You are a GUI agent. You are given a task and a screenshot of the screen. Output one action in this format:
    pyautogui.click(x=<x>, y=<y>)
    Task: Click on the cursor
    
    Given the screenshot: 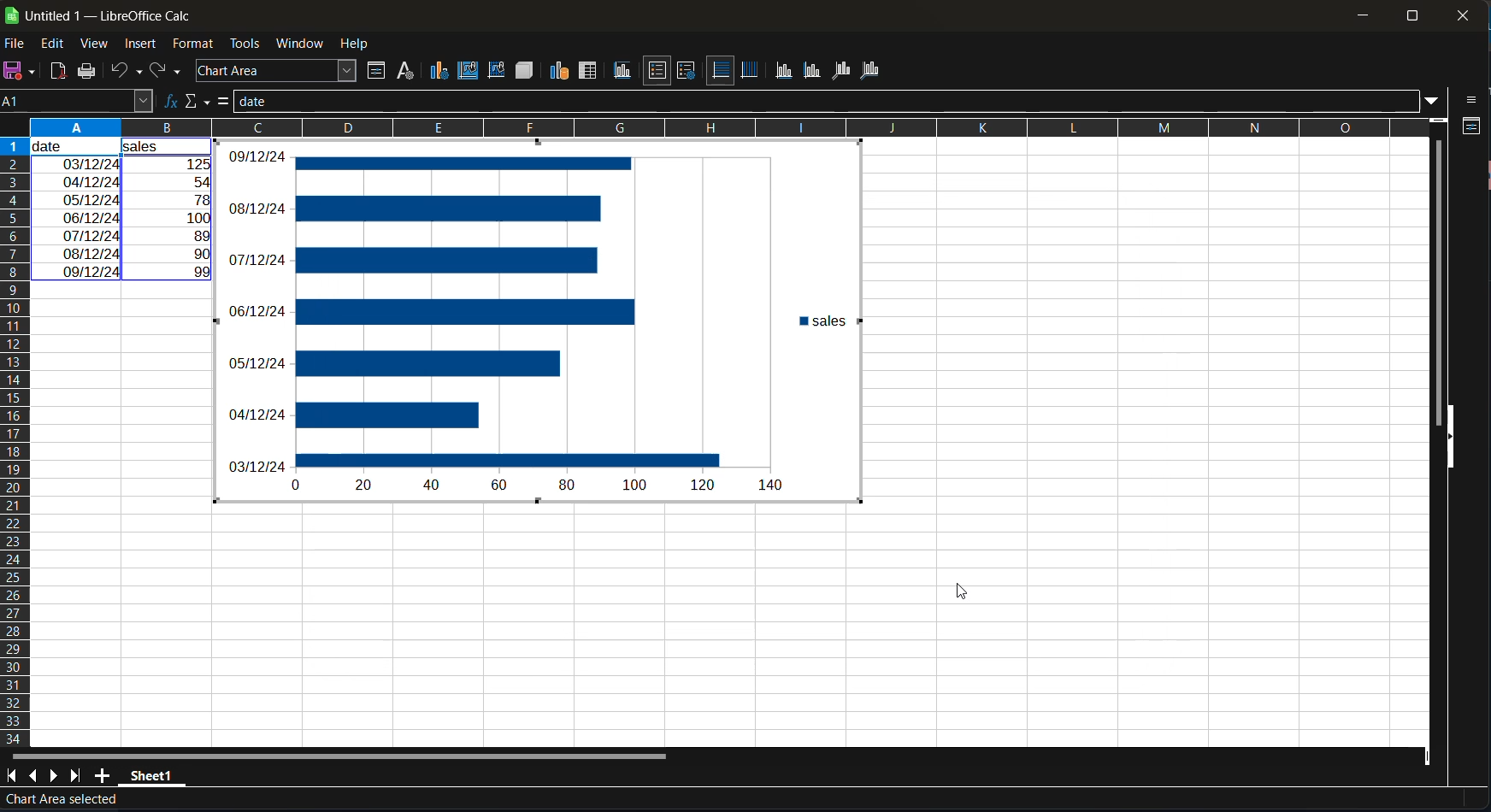 What is the action you would take?
    pyautogui.click(x=960, y=589)
    